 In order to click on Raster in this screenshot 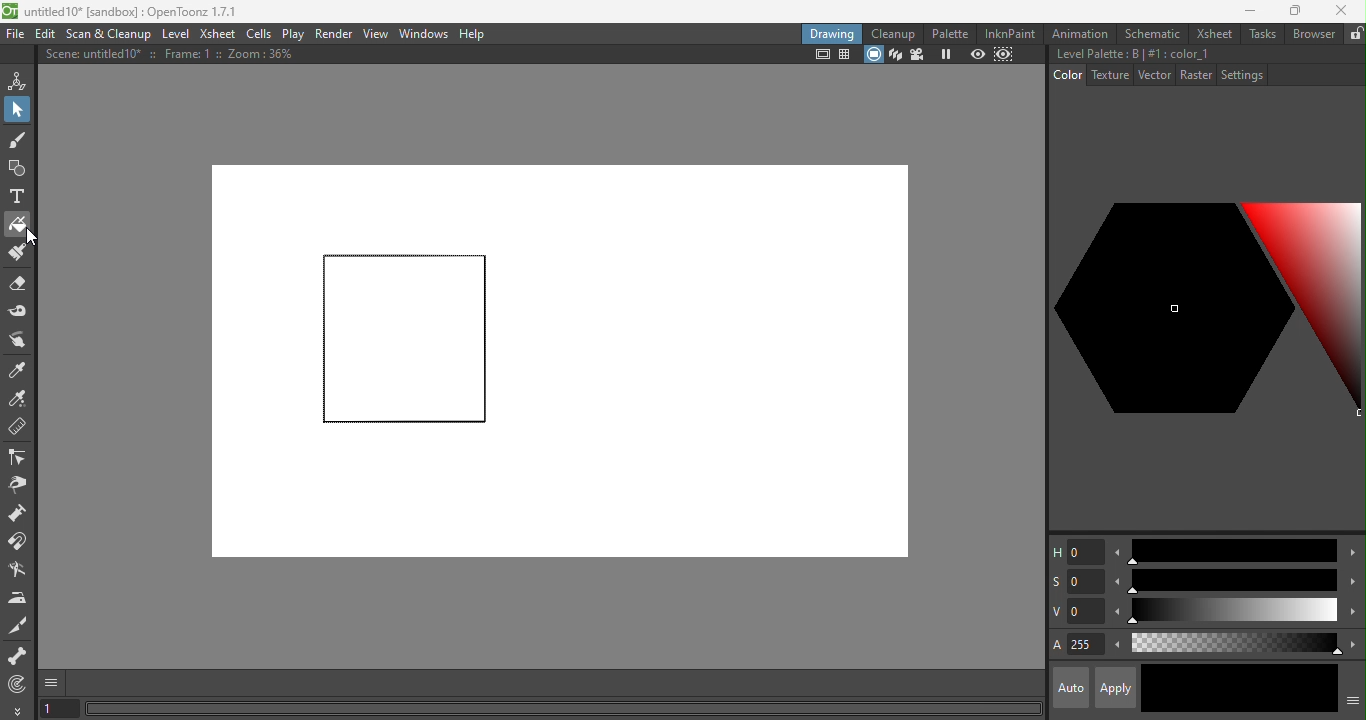, I will do `click(1196, 76)`.